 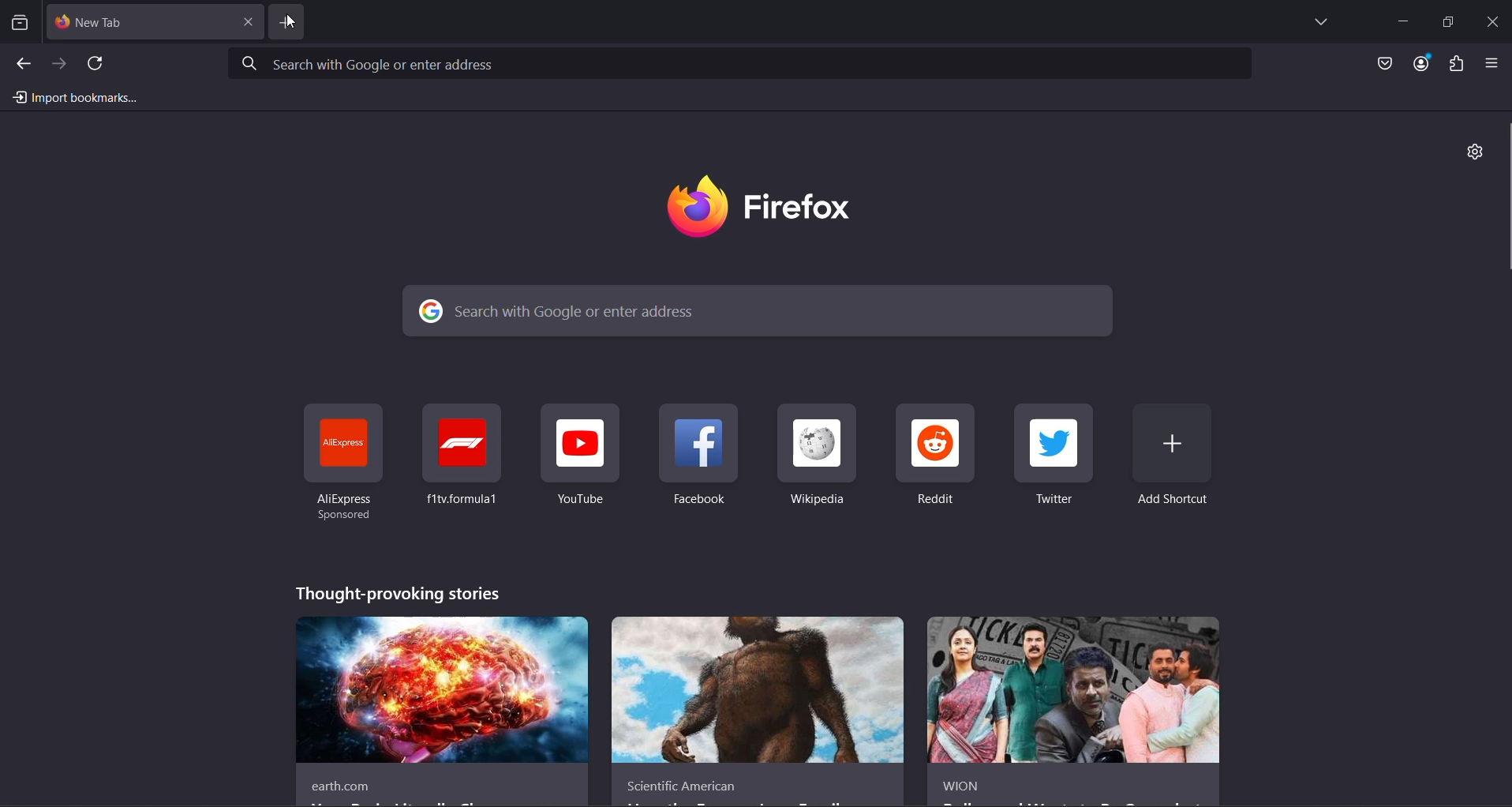 What do you see at coordinates (1495, 23) in the screenshot?
I see `close ` at bounding box center [1495, 23].